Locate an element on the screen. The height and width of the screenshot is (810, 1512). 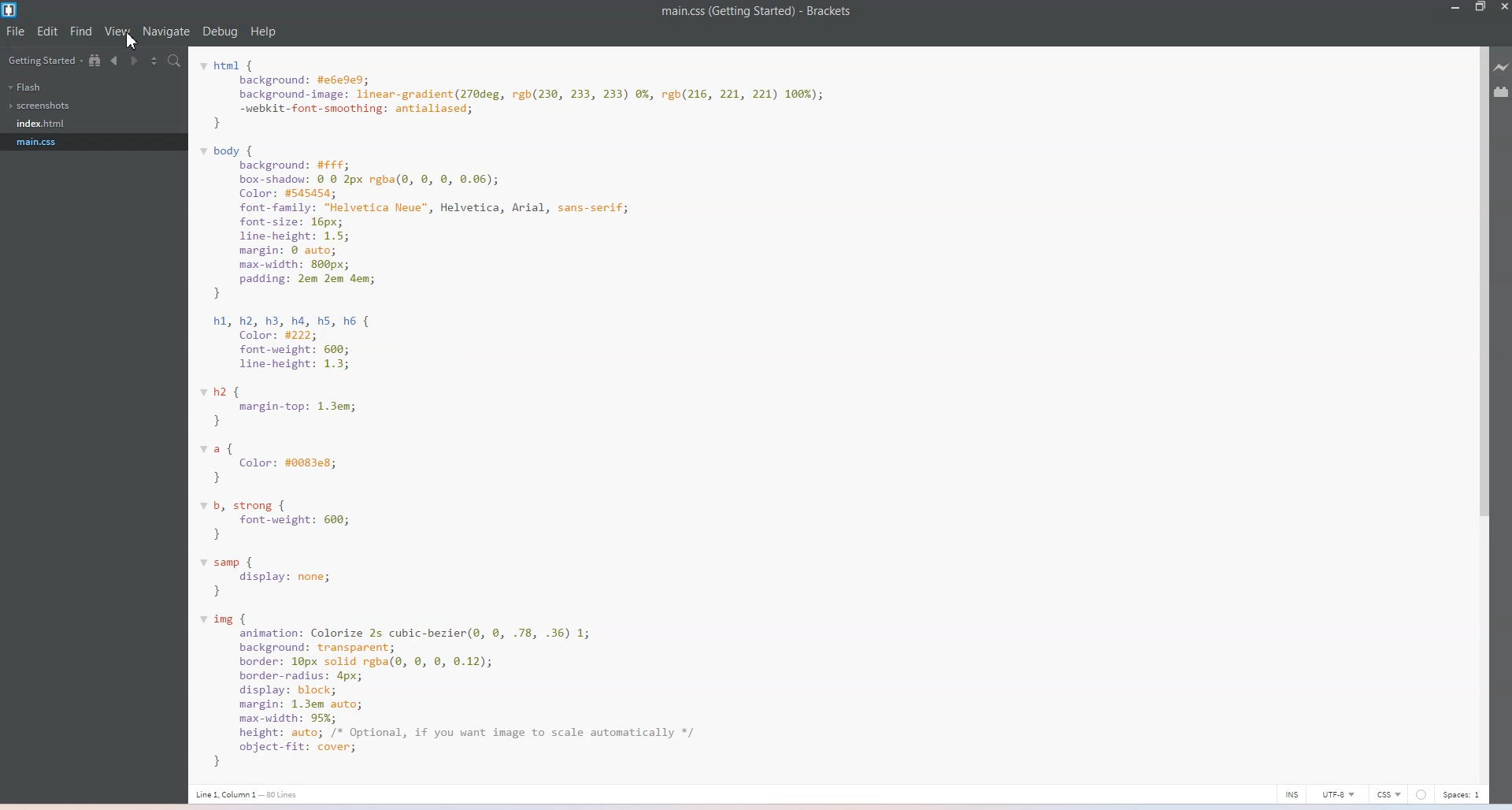
Find in files is located at coordinates (176, 62).